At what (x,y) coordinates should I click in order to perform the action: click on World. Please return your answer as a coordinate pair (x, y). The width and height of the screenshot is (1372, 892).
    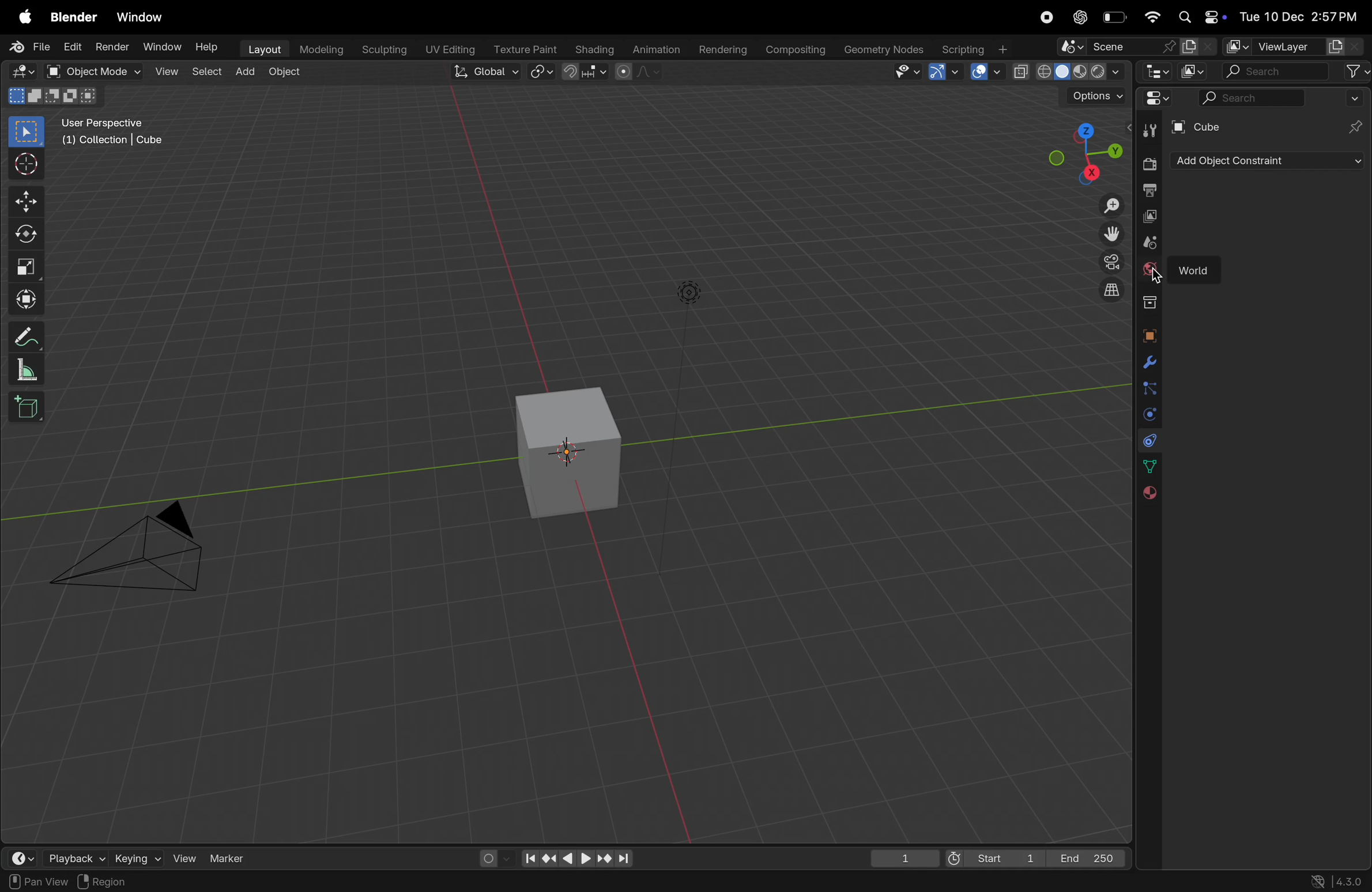
    Looking at the image, I should click on (1149, 270).